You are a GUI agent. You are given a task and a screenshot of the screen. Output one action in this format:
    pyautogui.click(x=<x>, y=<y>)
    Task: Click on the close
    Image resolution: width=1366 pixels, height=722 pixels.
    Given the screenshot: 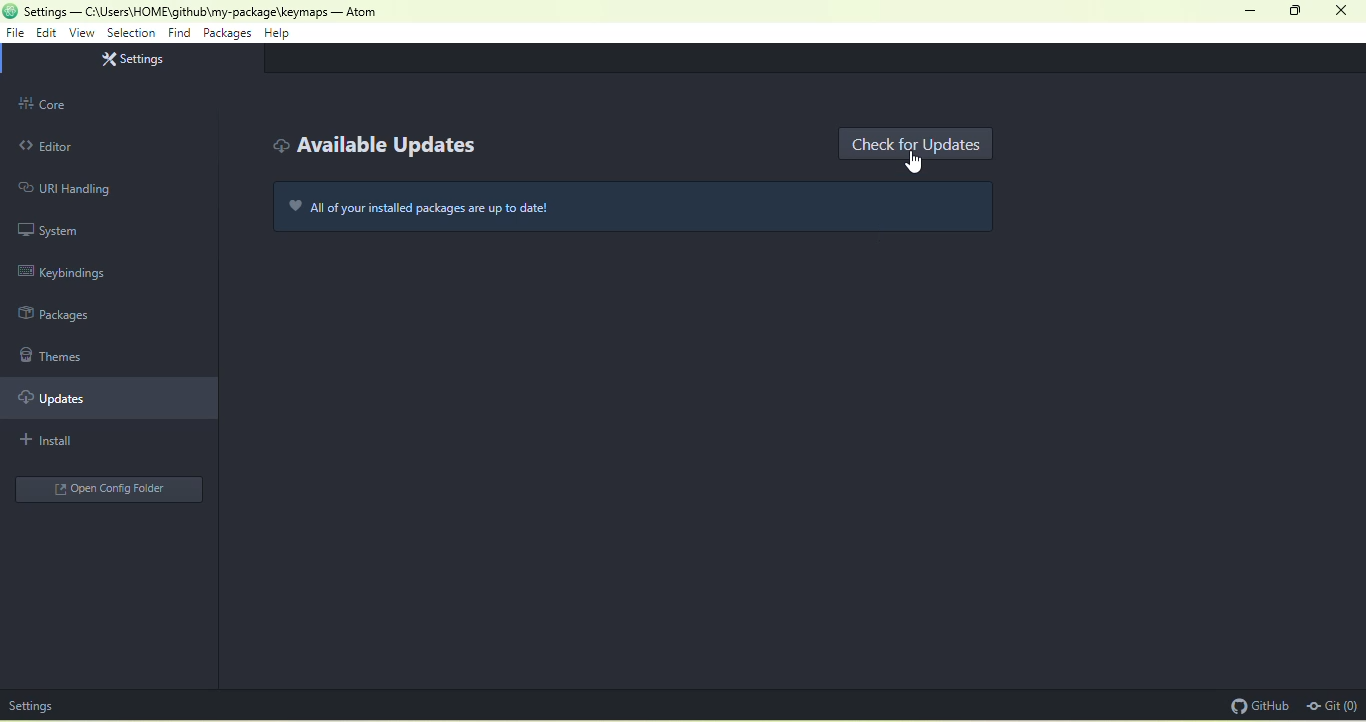 What is the action you would take?
    pyautogui.click(x=1345, y=10)
    